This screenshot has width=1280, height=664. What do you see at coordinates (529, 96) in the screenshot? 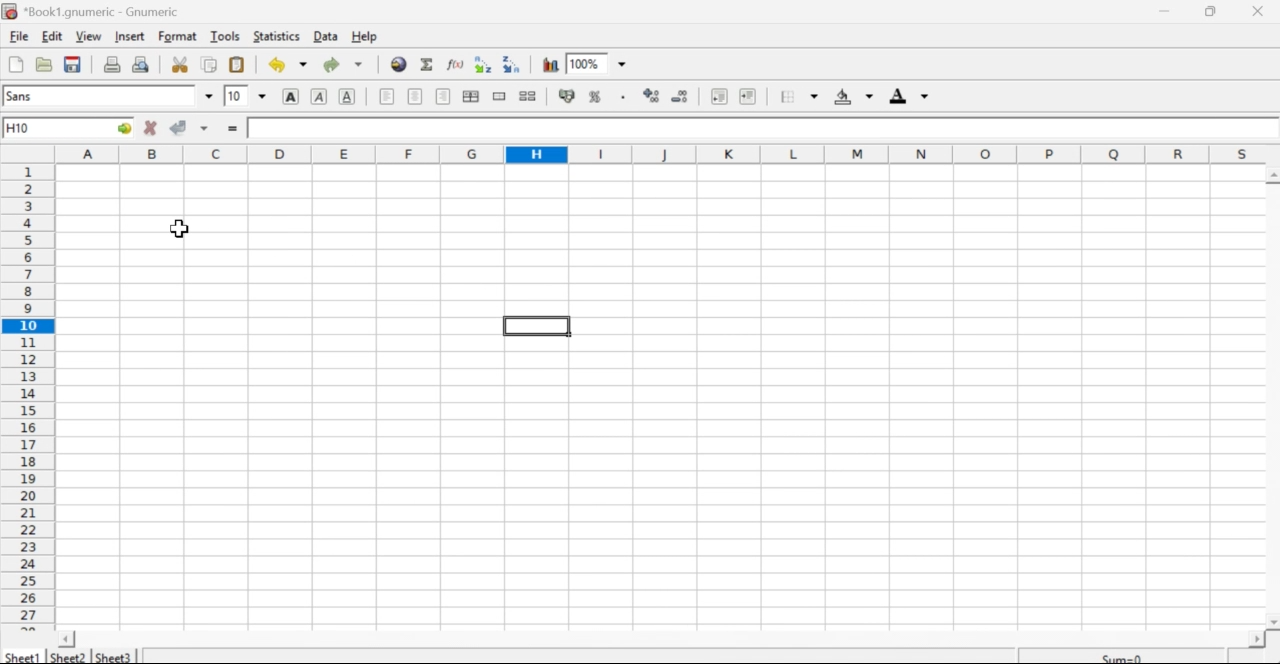
I see `Split cells ` at bounding box center [529, 96].